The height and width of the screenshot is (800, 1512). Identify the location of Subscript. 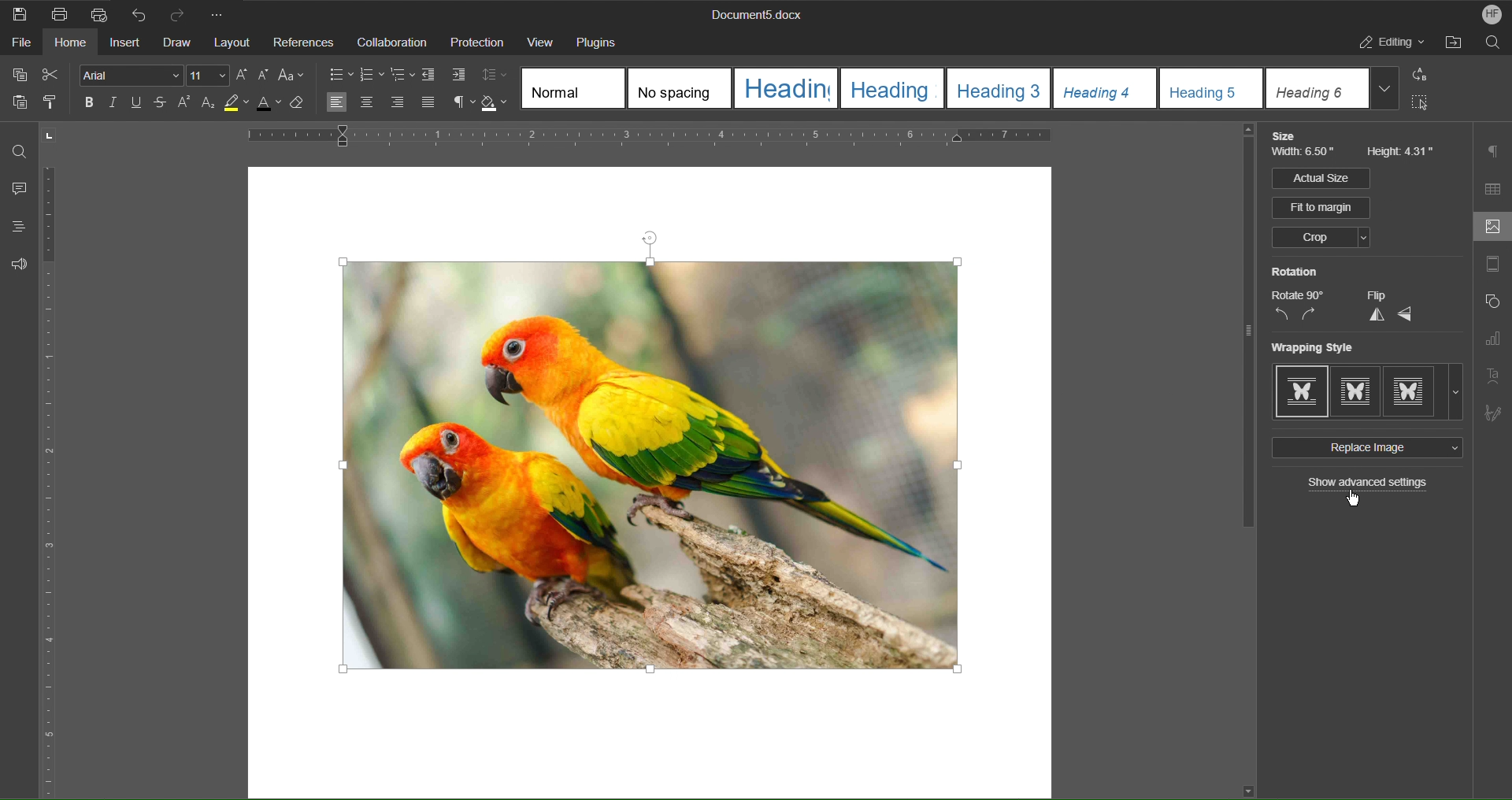
(209, 106).